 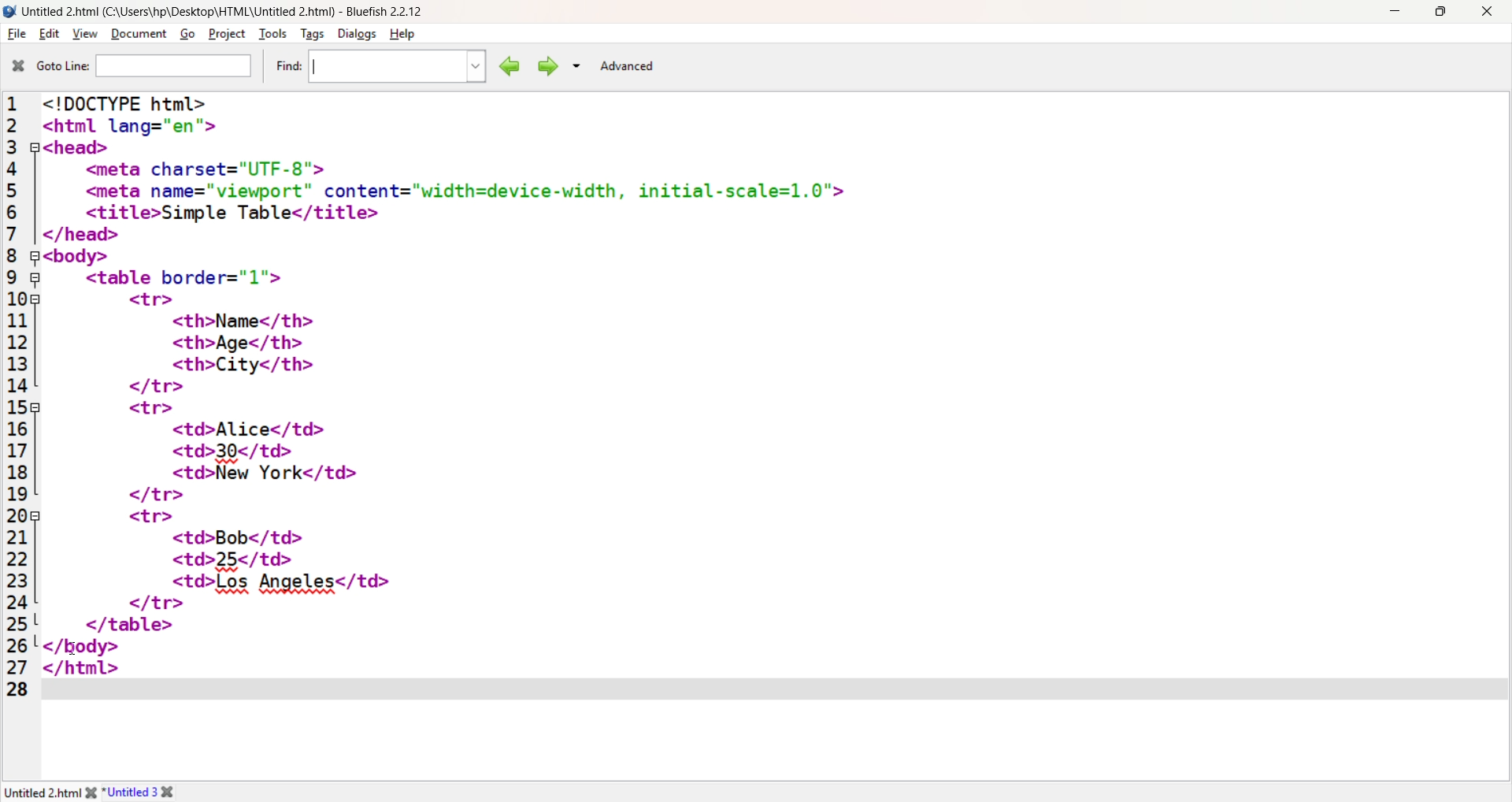 I want to click on Search Dropdown, so click(x=576, y=65).